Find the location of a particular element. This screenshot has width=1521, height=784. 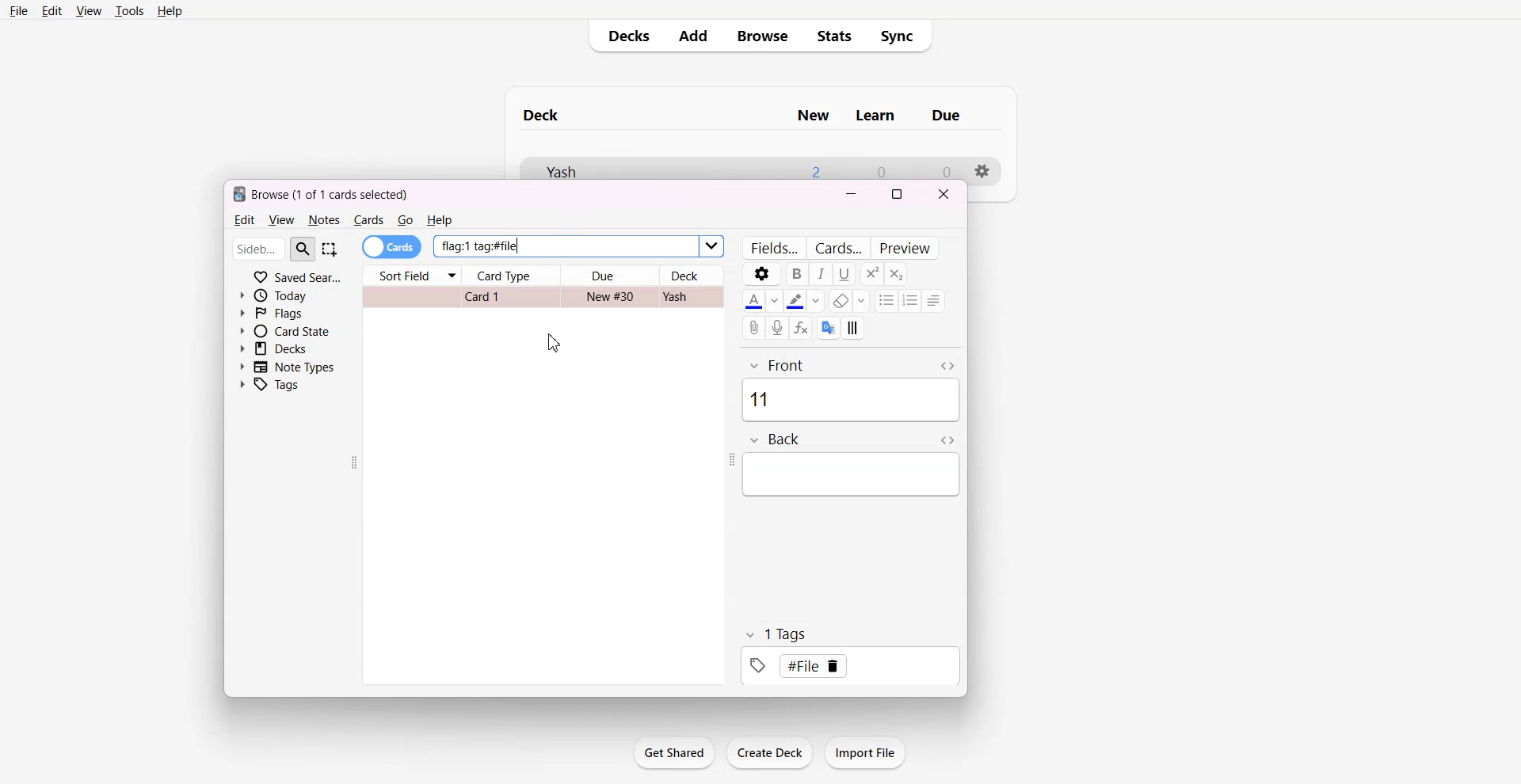

Toggle HTML Editor is located at coordinates (949, 366).